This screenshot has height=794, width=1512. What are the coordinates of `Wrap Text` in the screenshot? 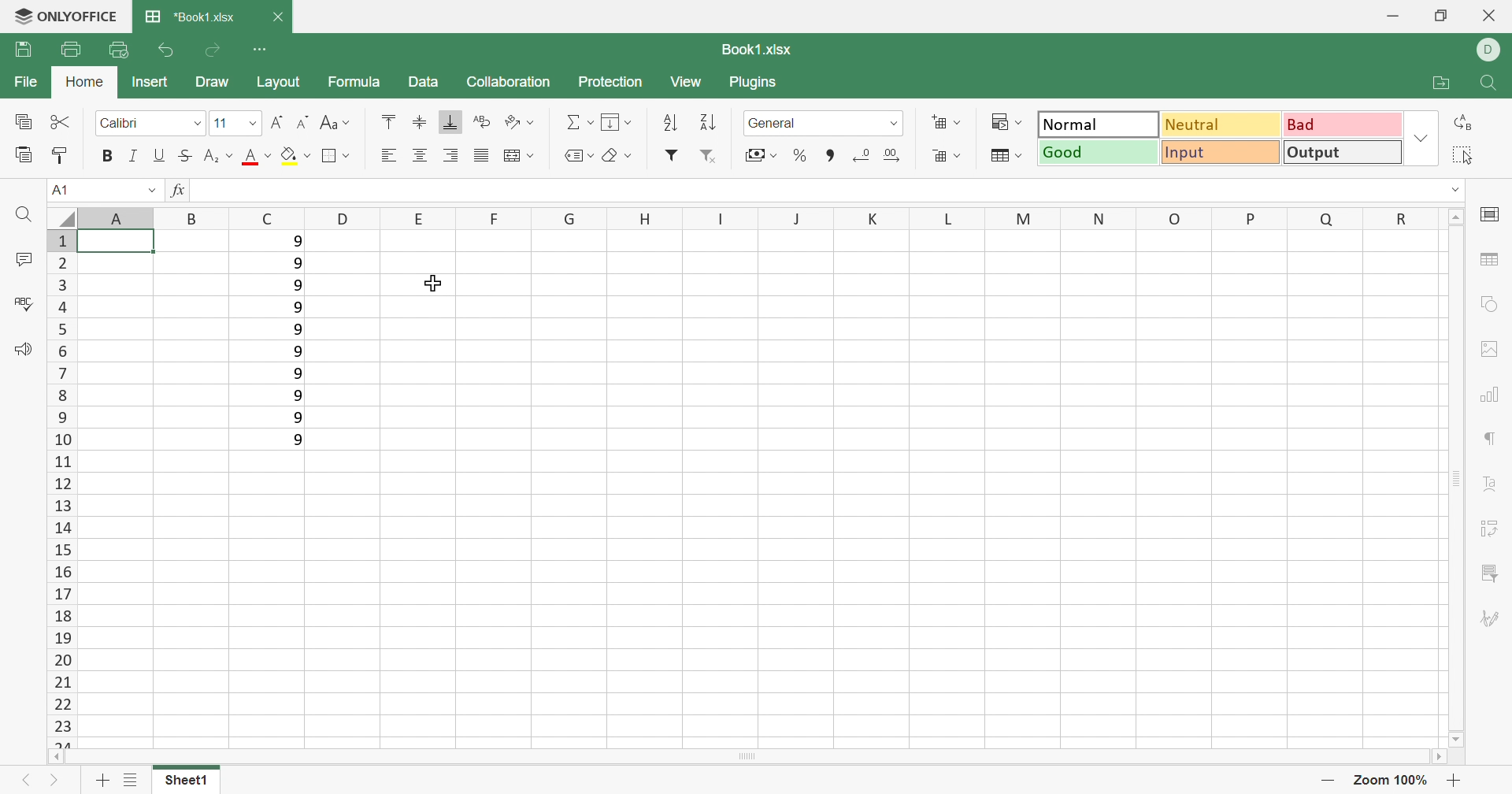 It's located at (483, 121).